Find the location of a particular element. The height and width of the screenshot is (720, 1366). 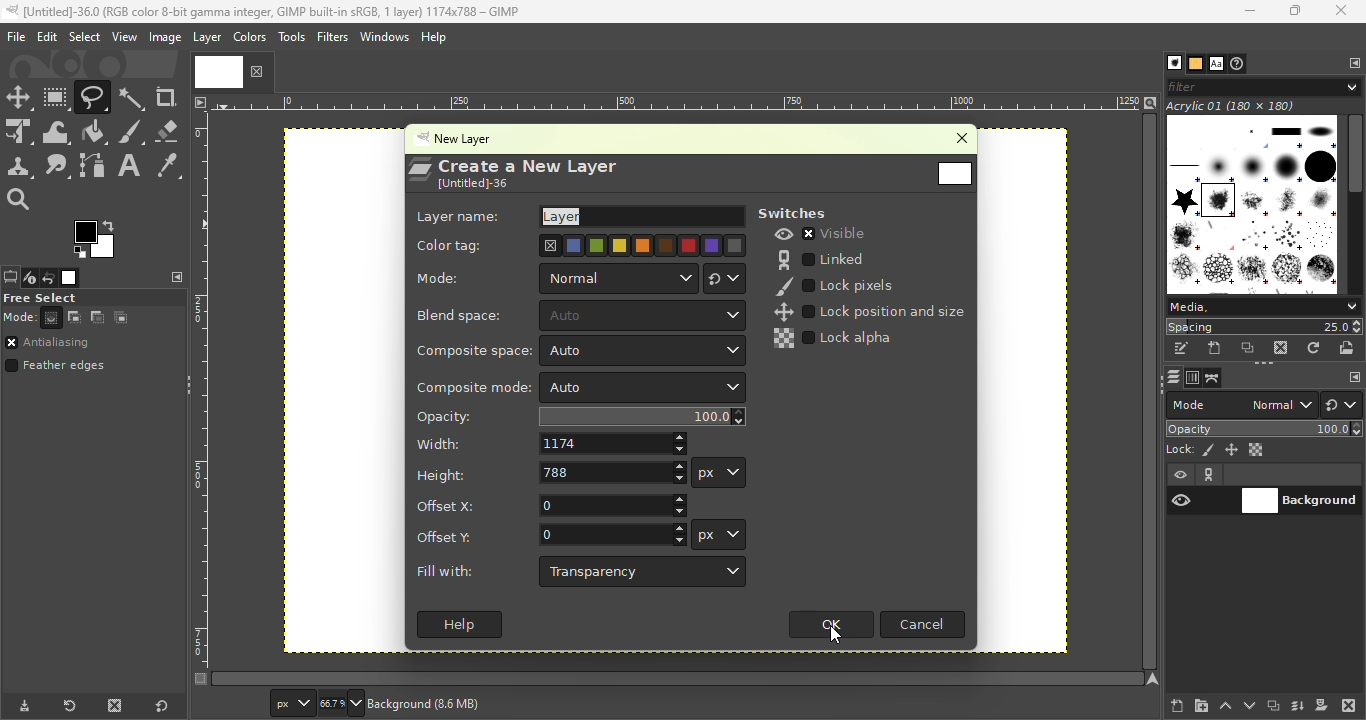

Restore tool preset is located at coordinates (67, 706).